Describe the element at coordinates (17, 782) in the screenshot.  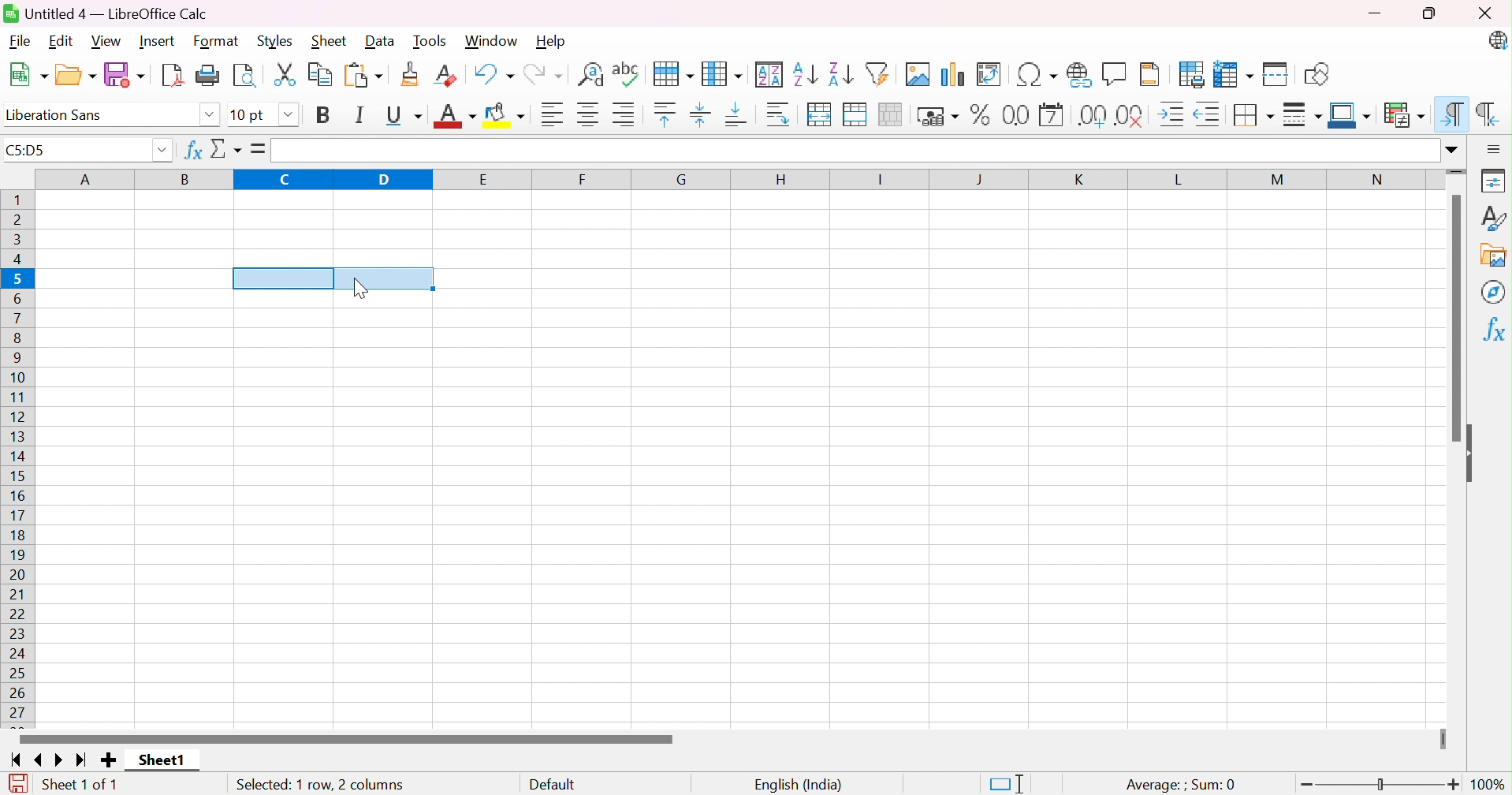
I see `The document has been modified. Click to save the document.` at that location.